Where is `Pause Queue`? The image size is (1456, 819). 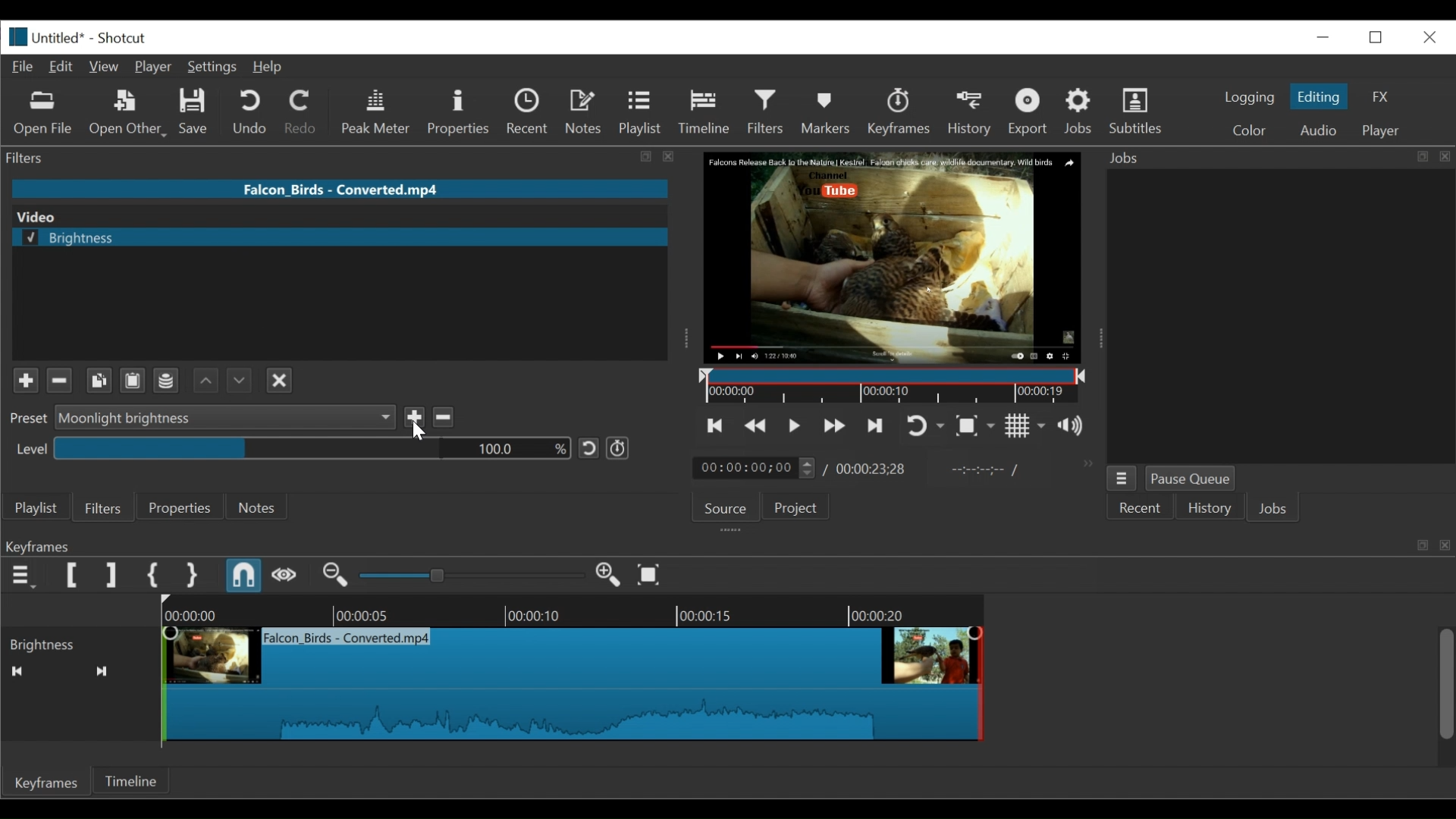 Pause Queue is located at coordinates (1190, 479).